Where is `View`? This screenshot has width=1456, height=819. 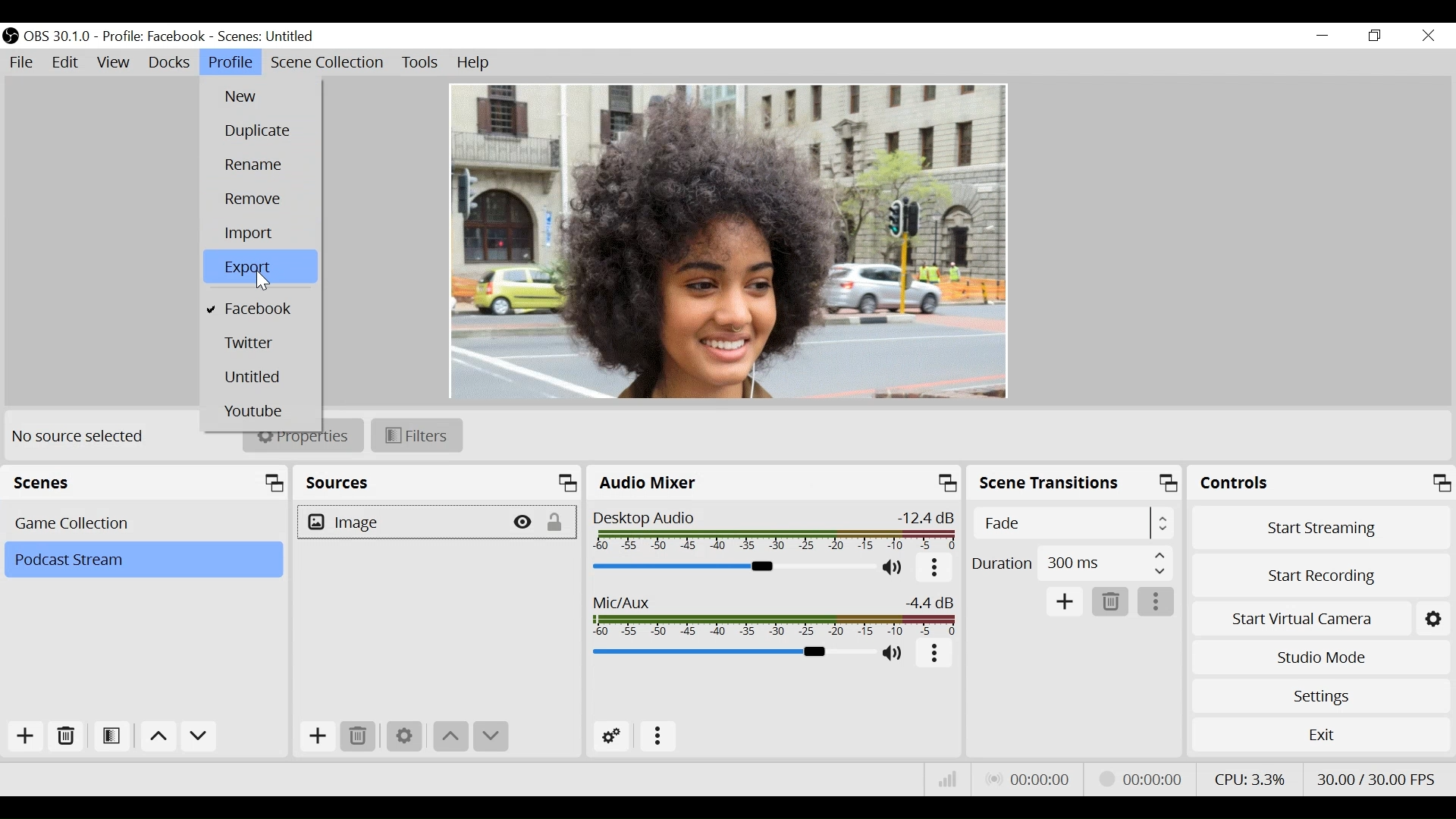
View is located at coordinates (117, 63).